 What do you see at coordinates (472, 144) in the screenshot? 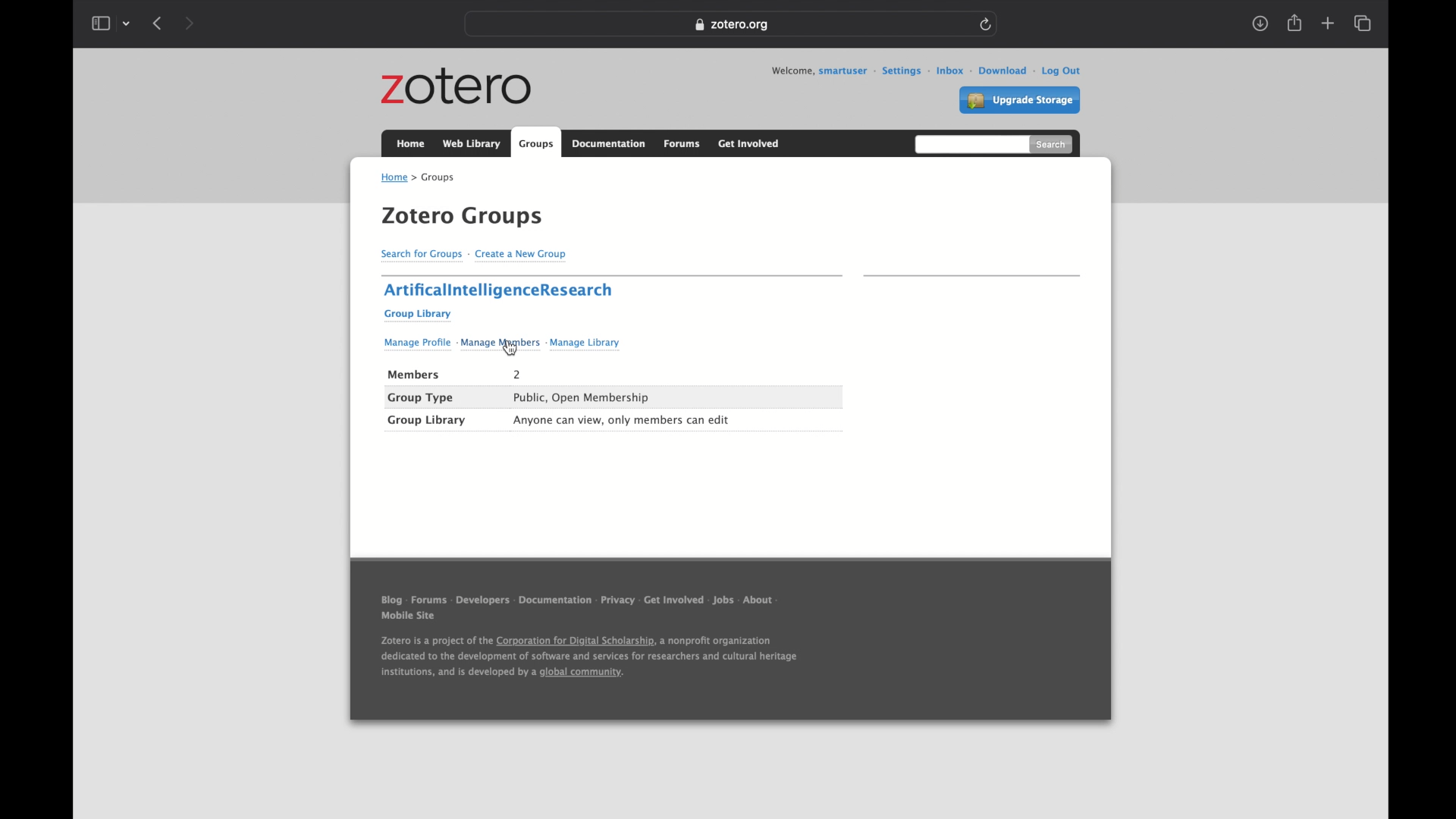
I see `web library` at bounding box center [472, 144].